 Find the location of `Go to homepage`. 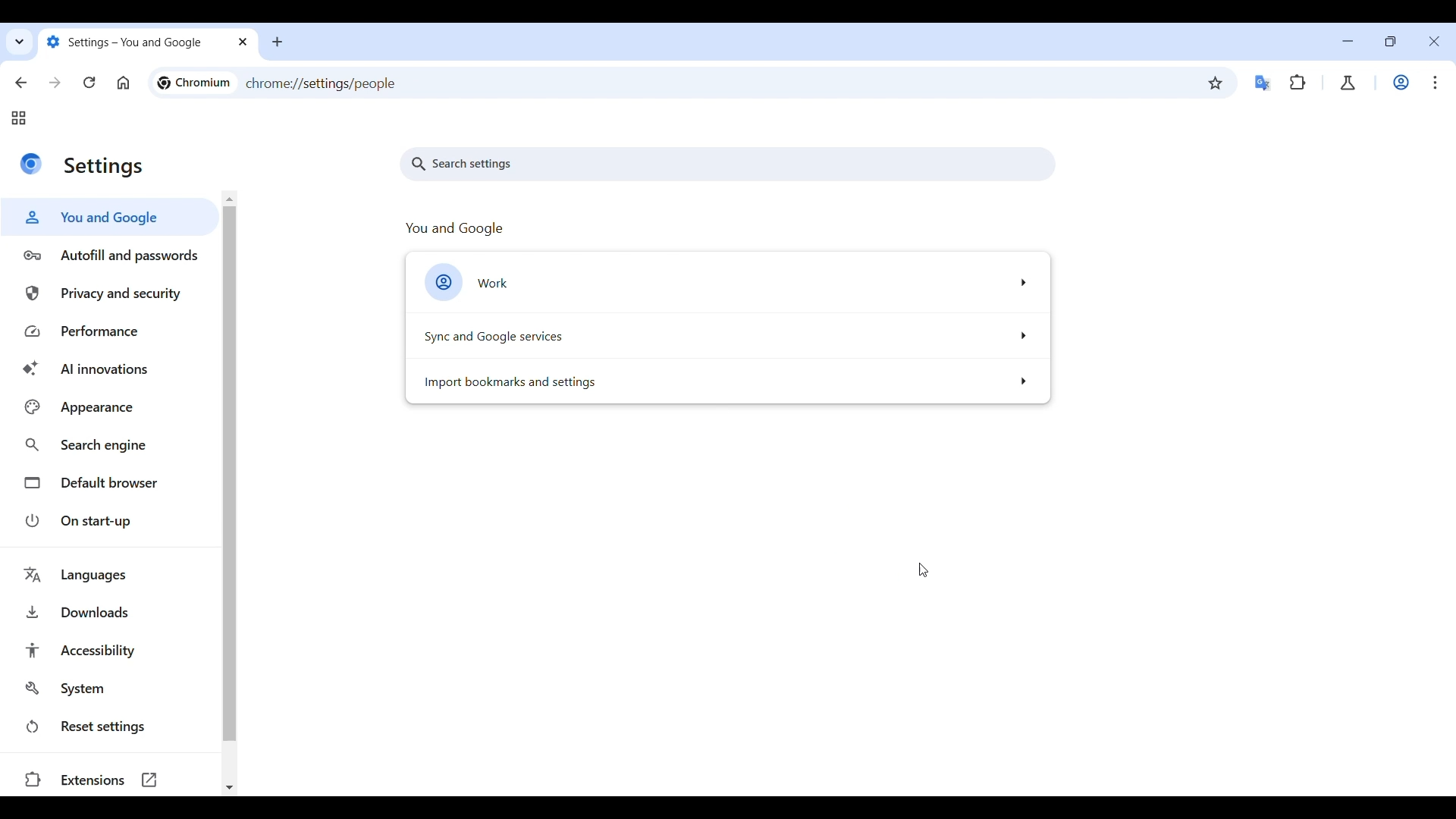

Go to homepage is located at coordinates (123, 83).